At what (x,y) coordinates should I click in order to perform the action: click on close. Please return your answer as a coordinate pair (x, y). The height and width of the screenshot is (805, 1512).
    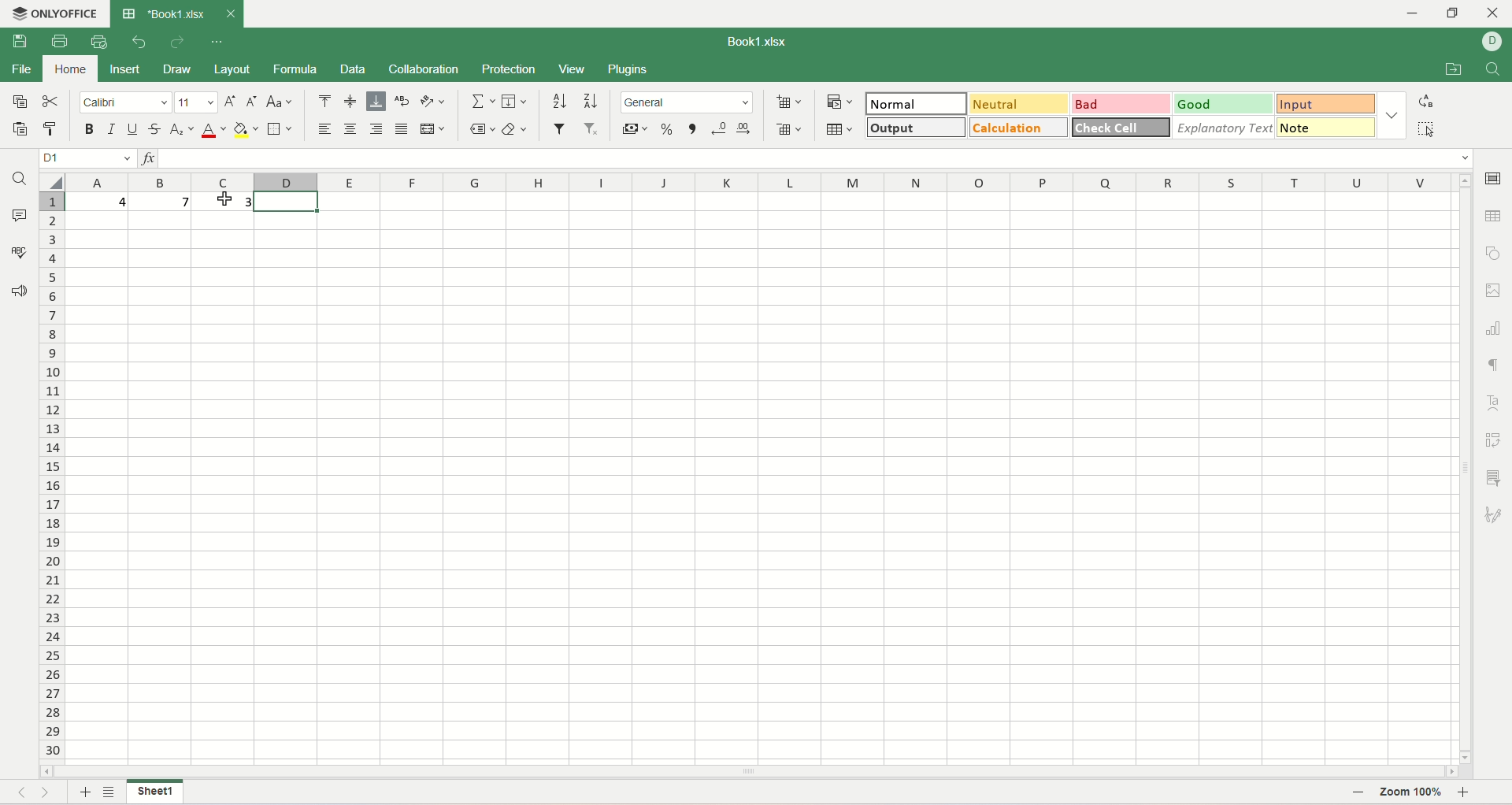
    Looking at the image, I should click on (230, 11).